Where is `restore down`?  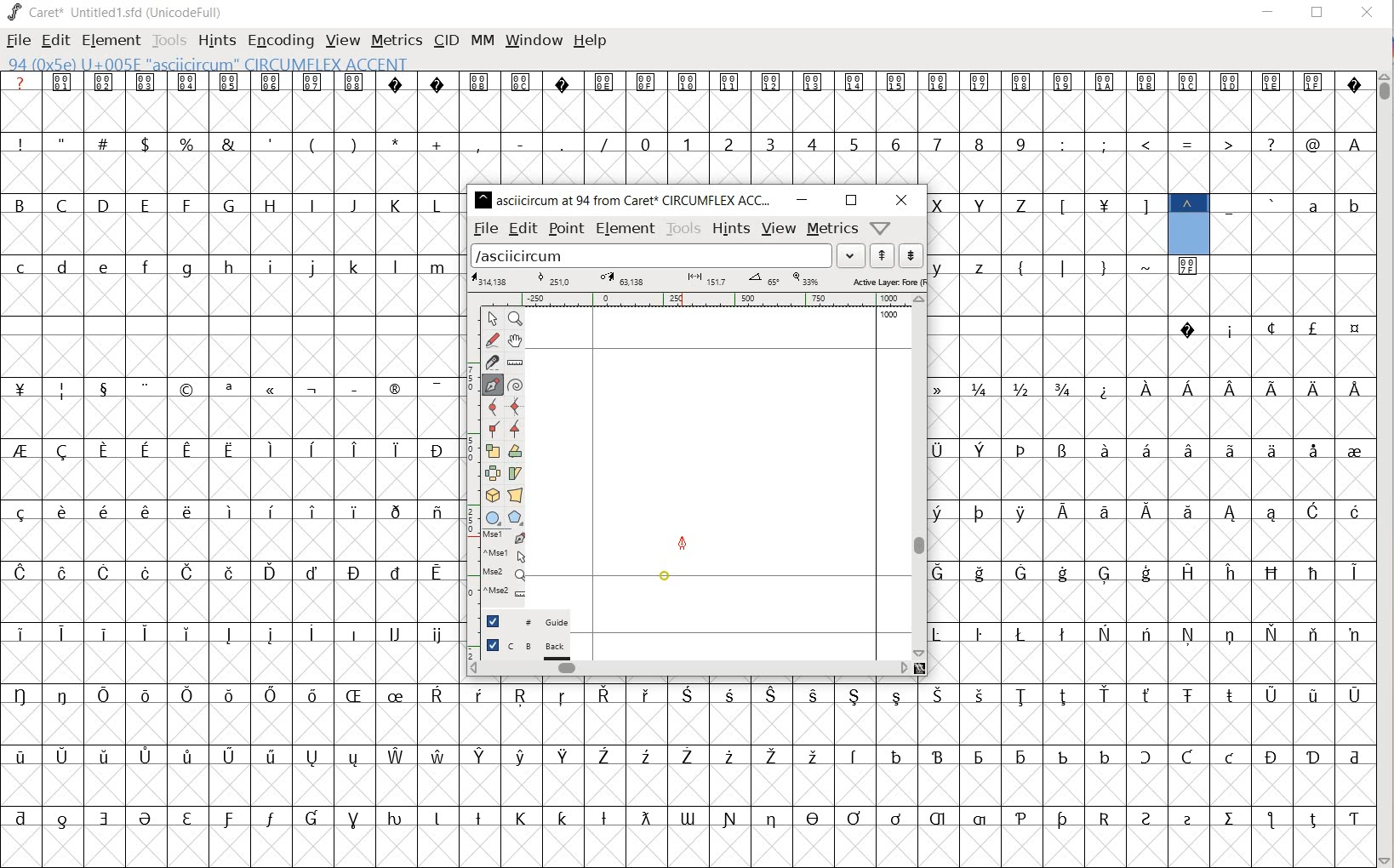 restore down is located at coordinates (850, 201).